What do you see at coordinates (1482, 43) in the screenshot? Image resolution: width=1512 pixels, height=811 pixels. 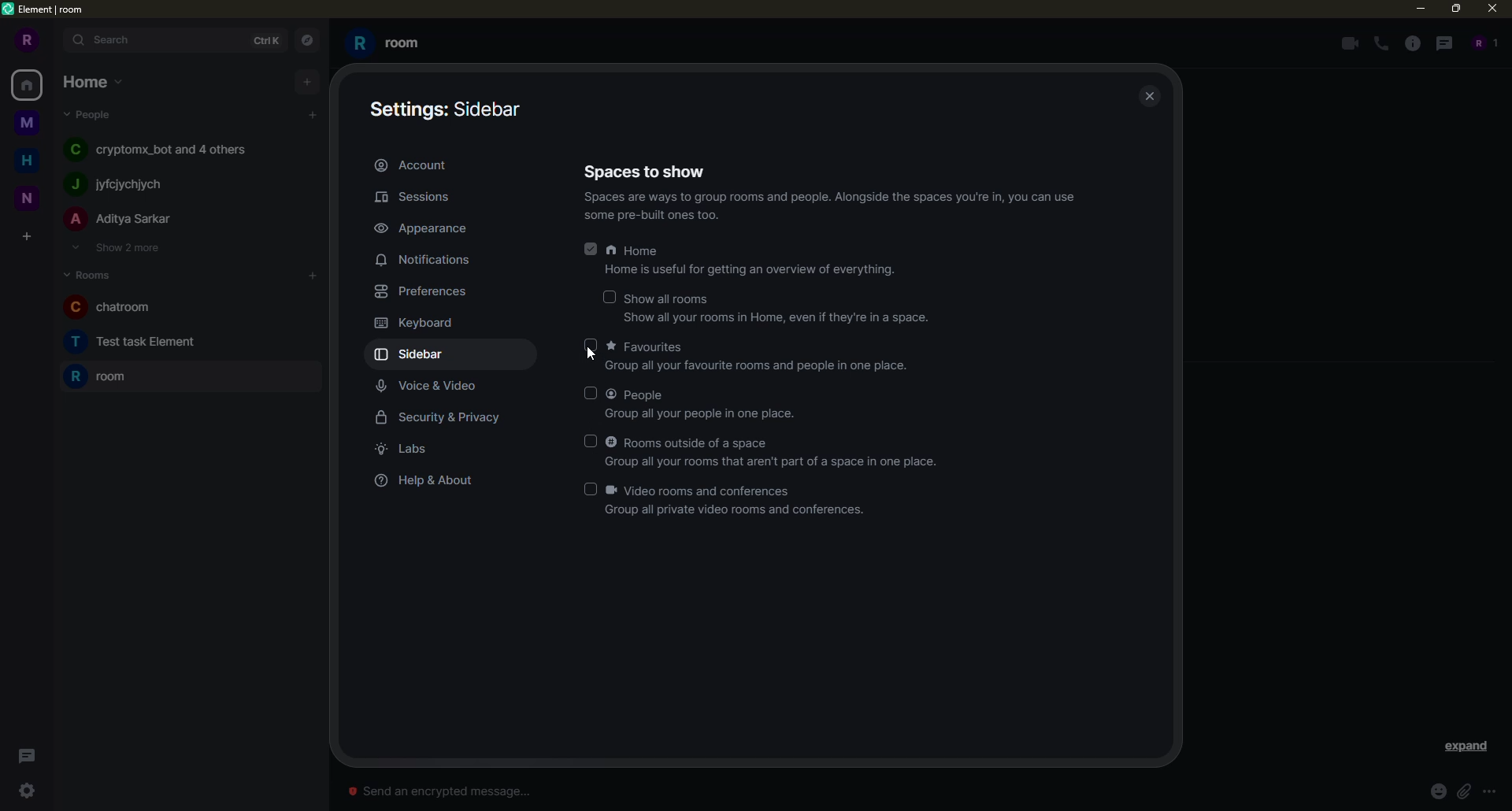 I see `people` at bounding box center [1482, 43].